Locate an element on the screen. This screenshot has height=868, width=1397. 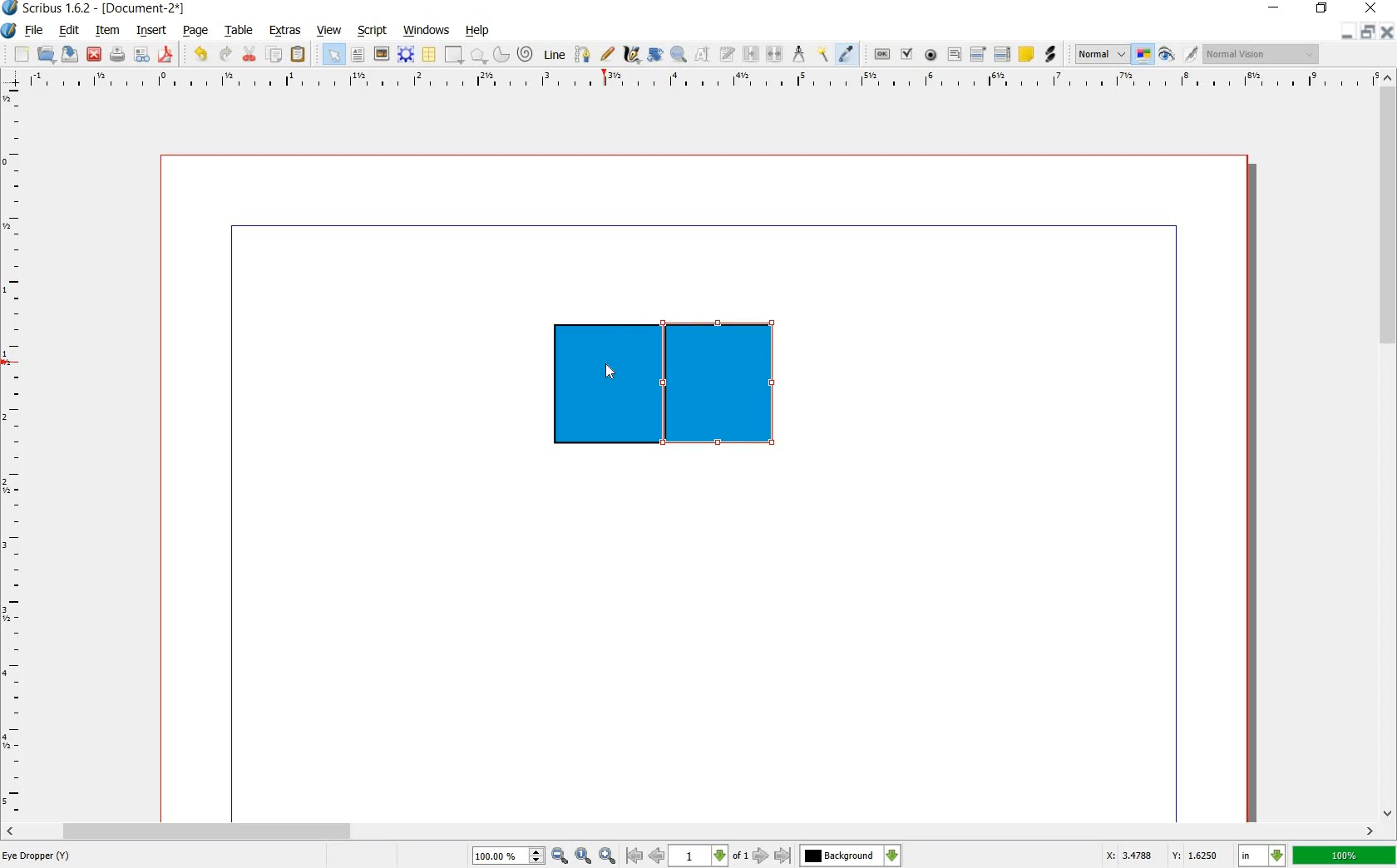
pdf check box is located at coordinates (906, 54).